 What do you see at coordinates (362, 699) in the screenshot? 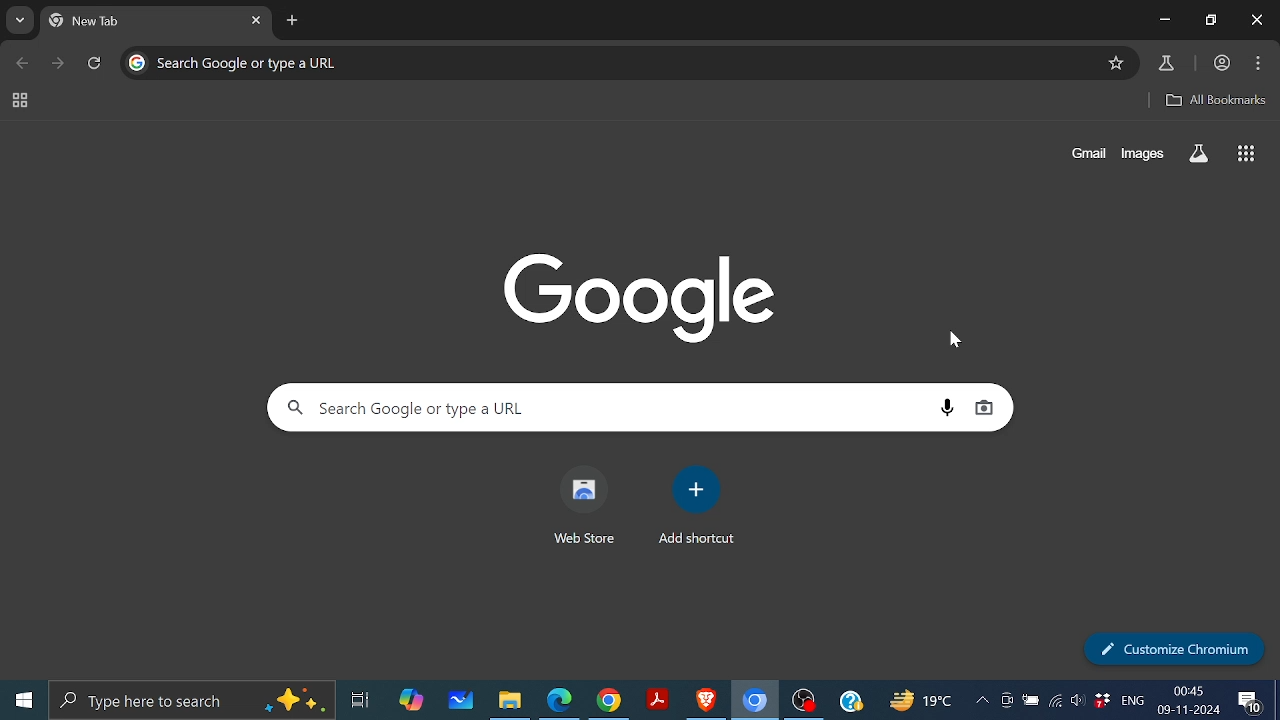
I see `Task View` at bounding box center [362, 699].